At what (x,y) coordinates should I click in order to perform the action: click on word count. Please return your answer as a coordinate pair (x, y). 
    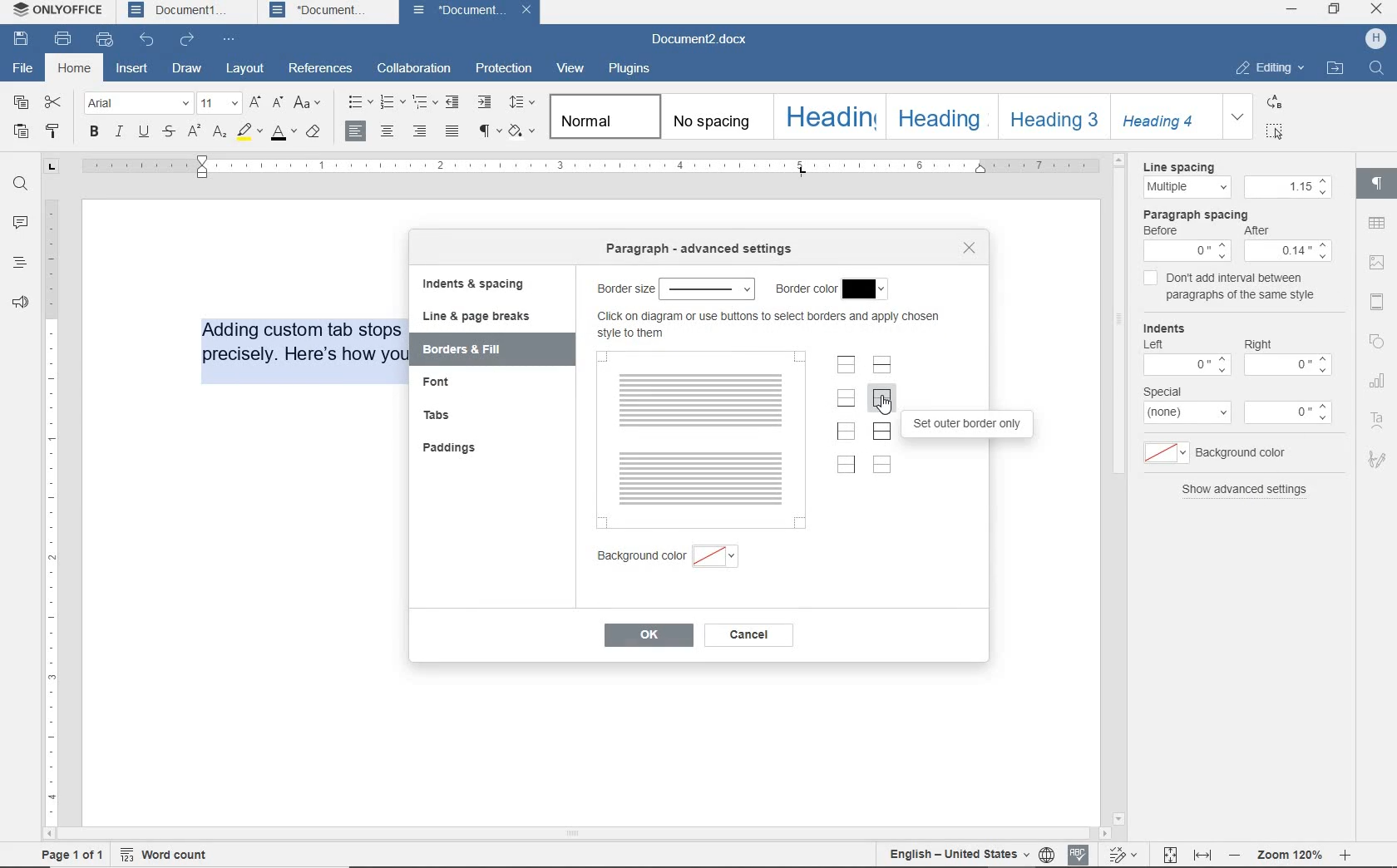
    Looking at the image, I should click on (166, 856).